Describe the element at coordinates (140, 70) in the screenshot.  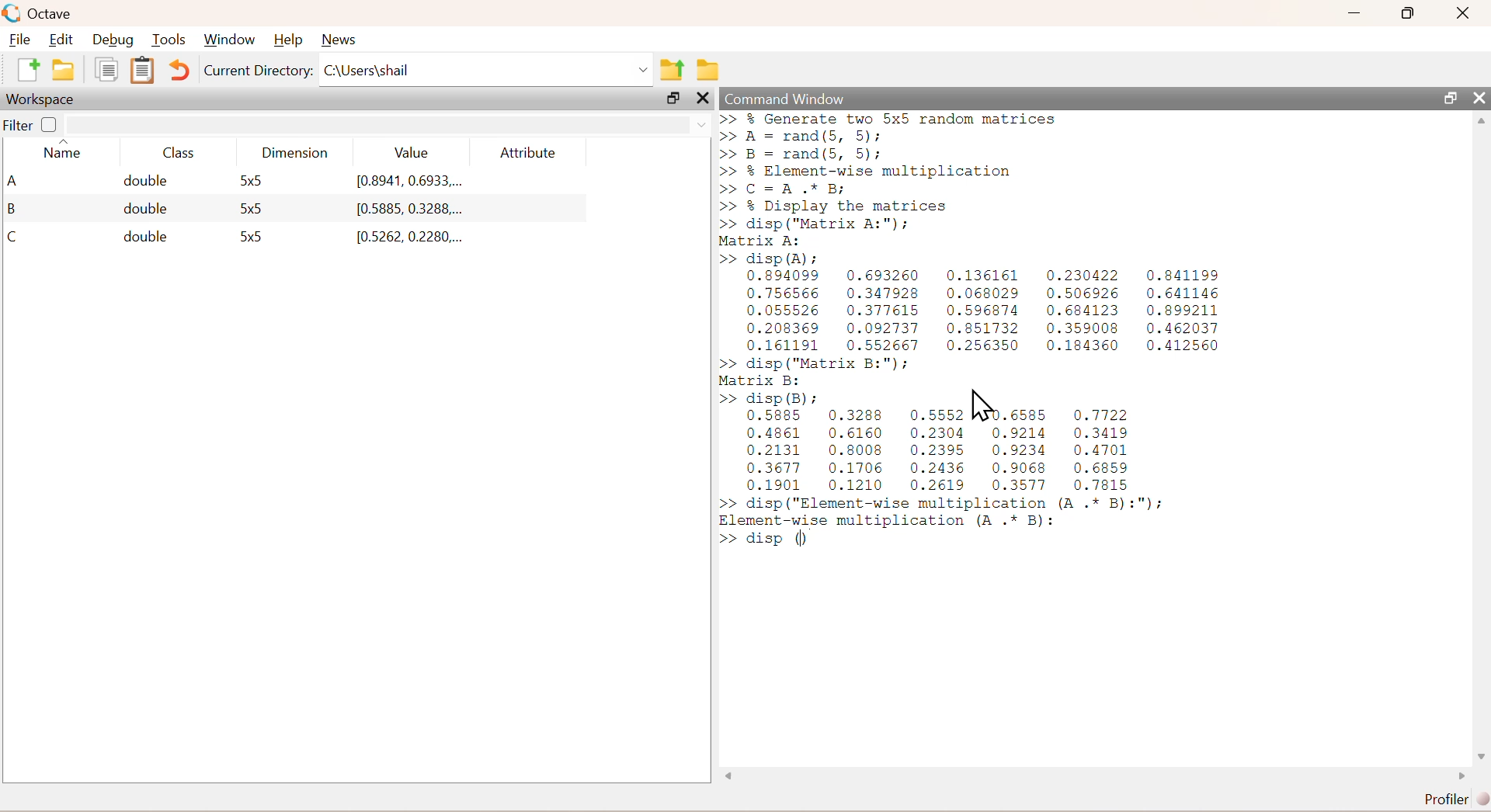
I see `Paste` at that location.